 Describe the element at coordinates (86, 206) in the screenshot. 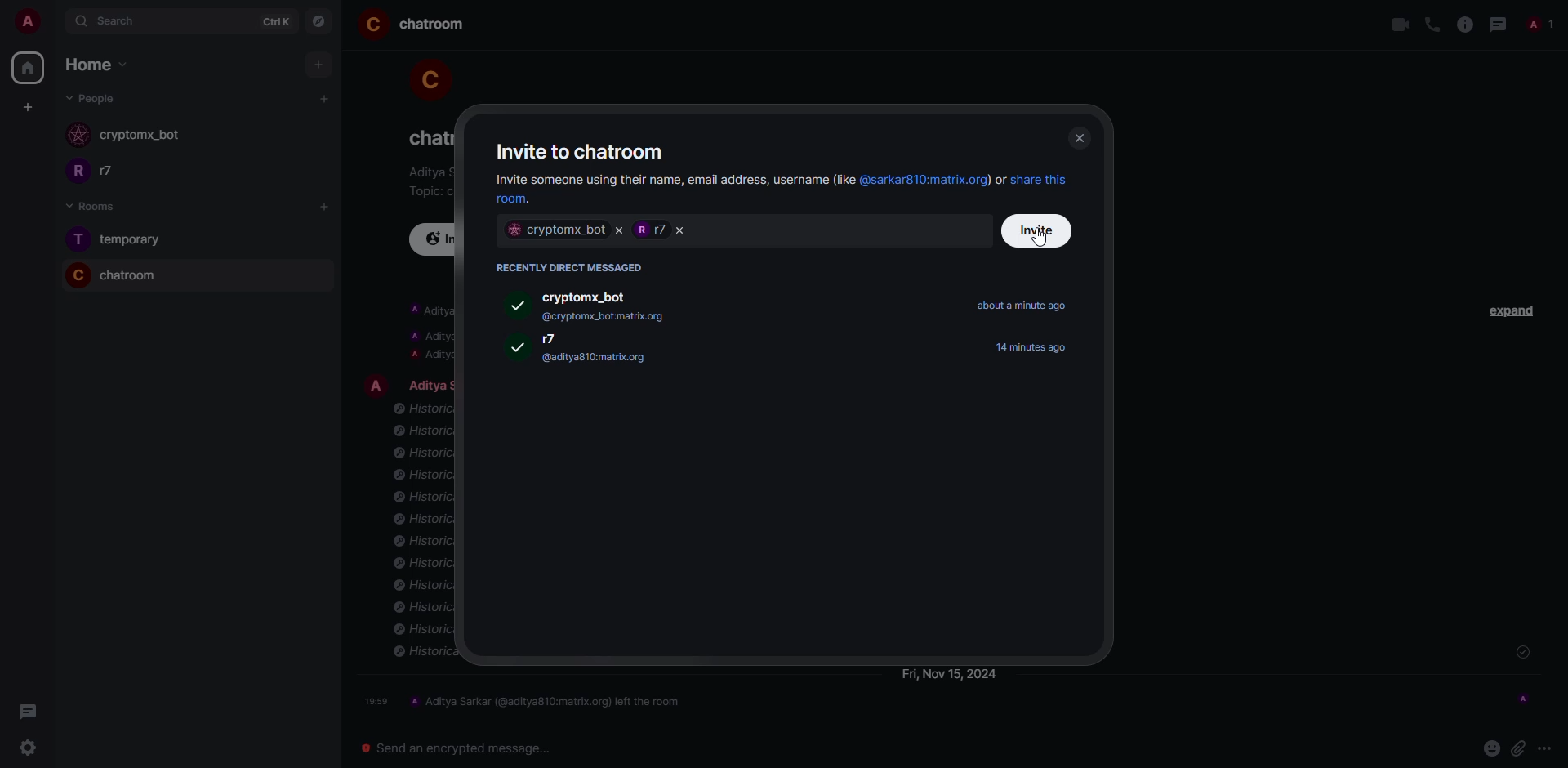

I see `rooms` at that location.